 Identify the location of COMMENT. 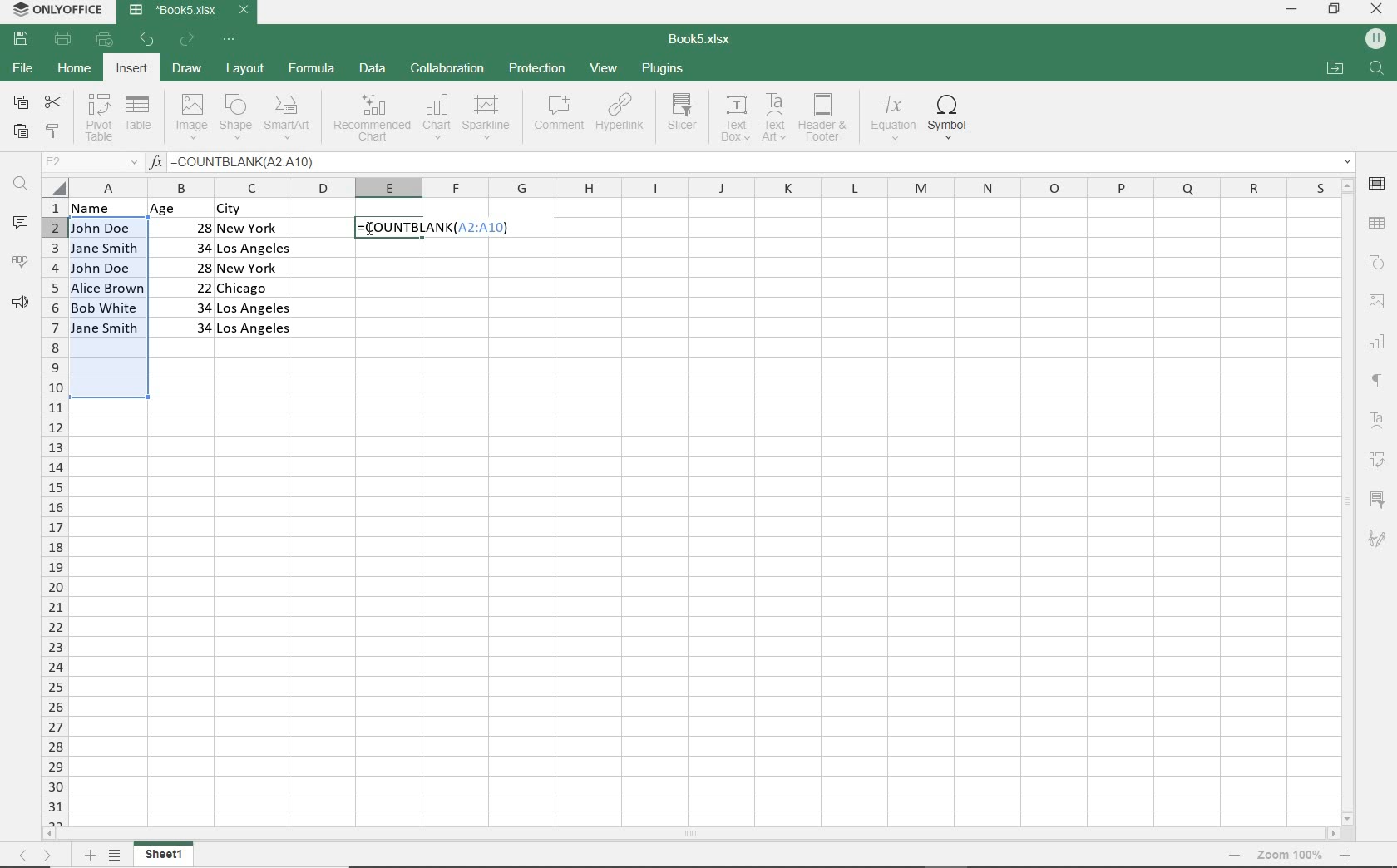
(559, 116).